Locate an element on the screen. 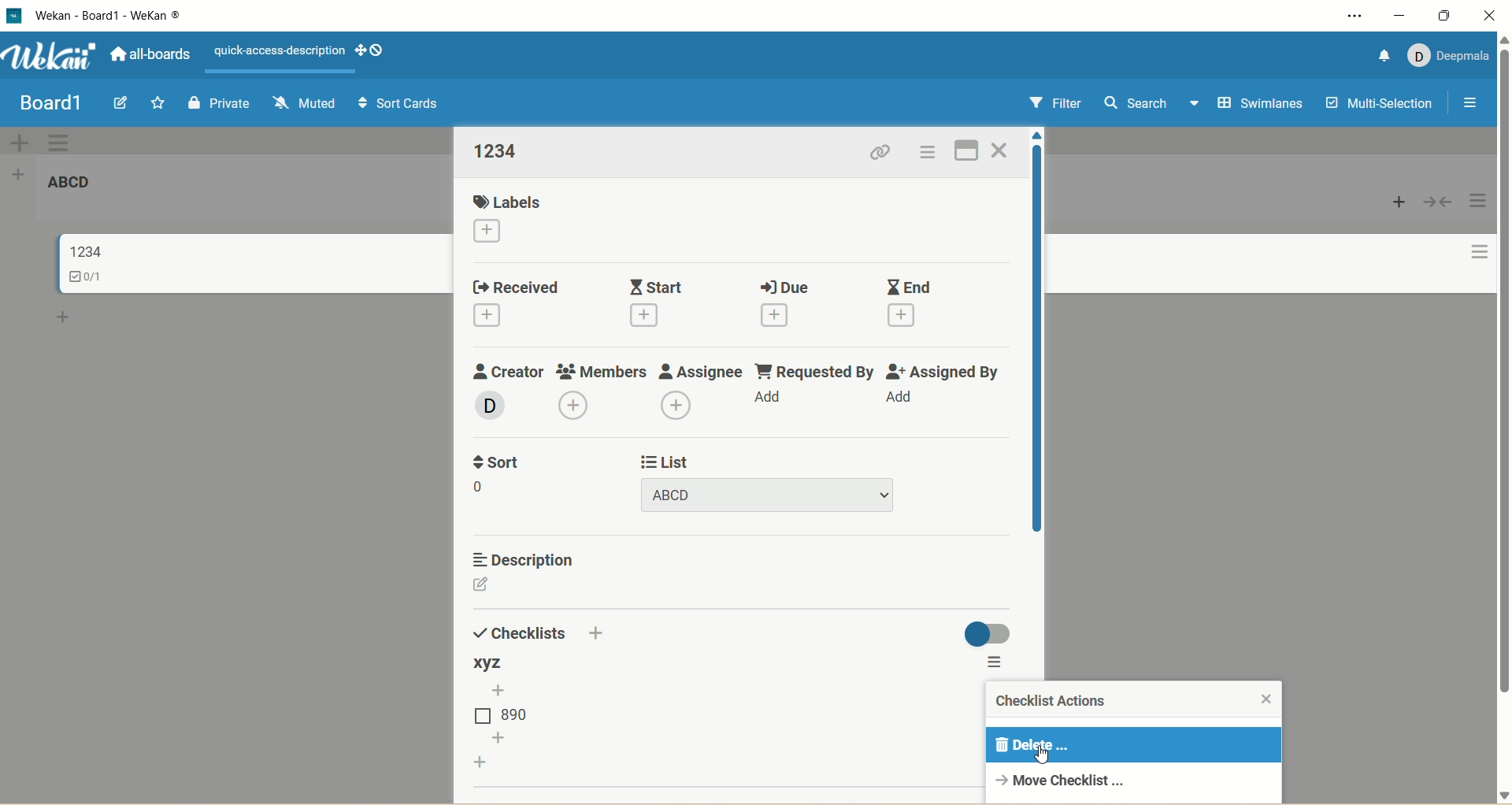 Image resolution: width=1512 pixels, height=805 pixels. add is located at coordinates (773, 400).